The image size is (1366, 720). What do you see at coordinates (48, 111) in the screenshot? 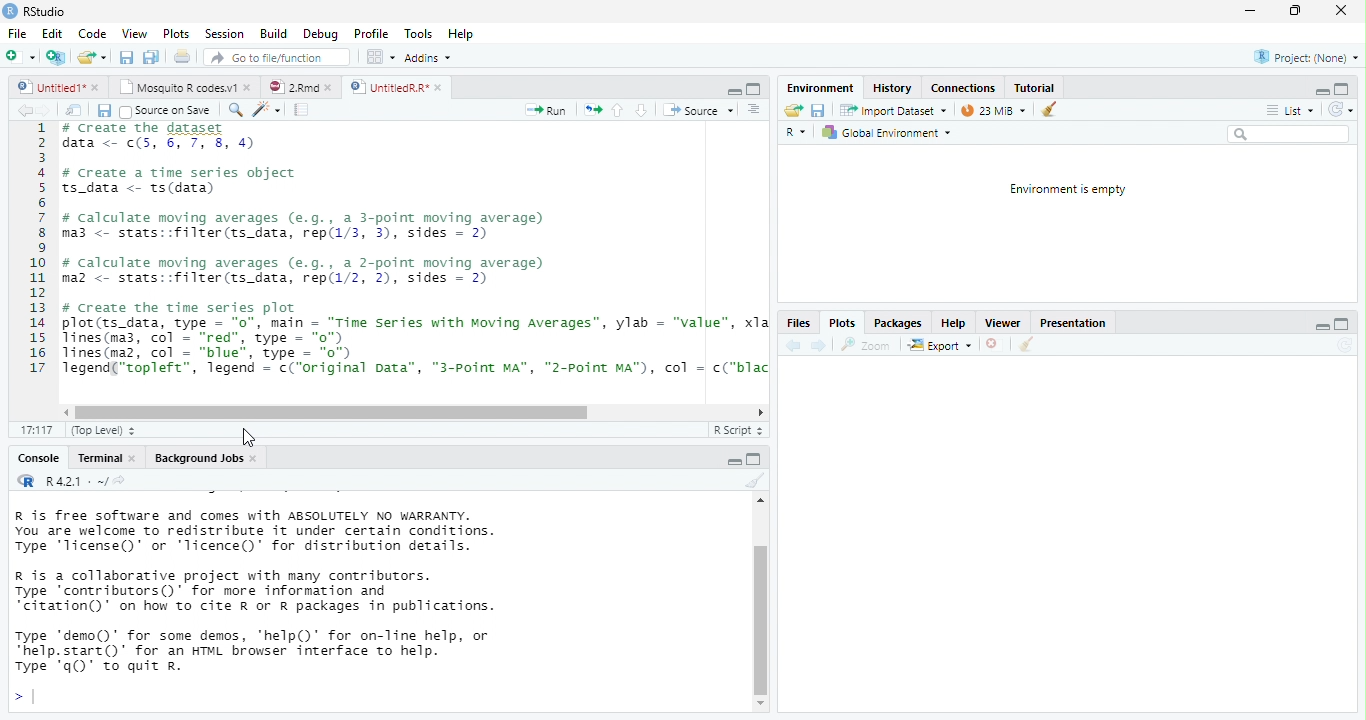
I see `next` at bounding box center [48, 111].